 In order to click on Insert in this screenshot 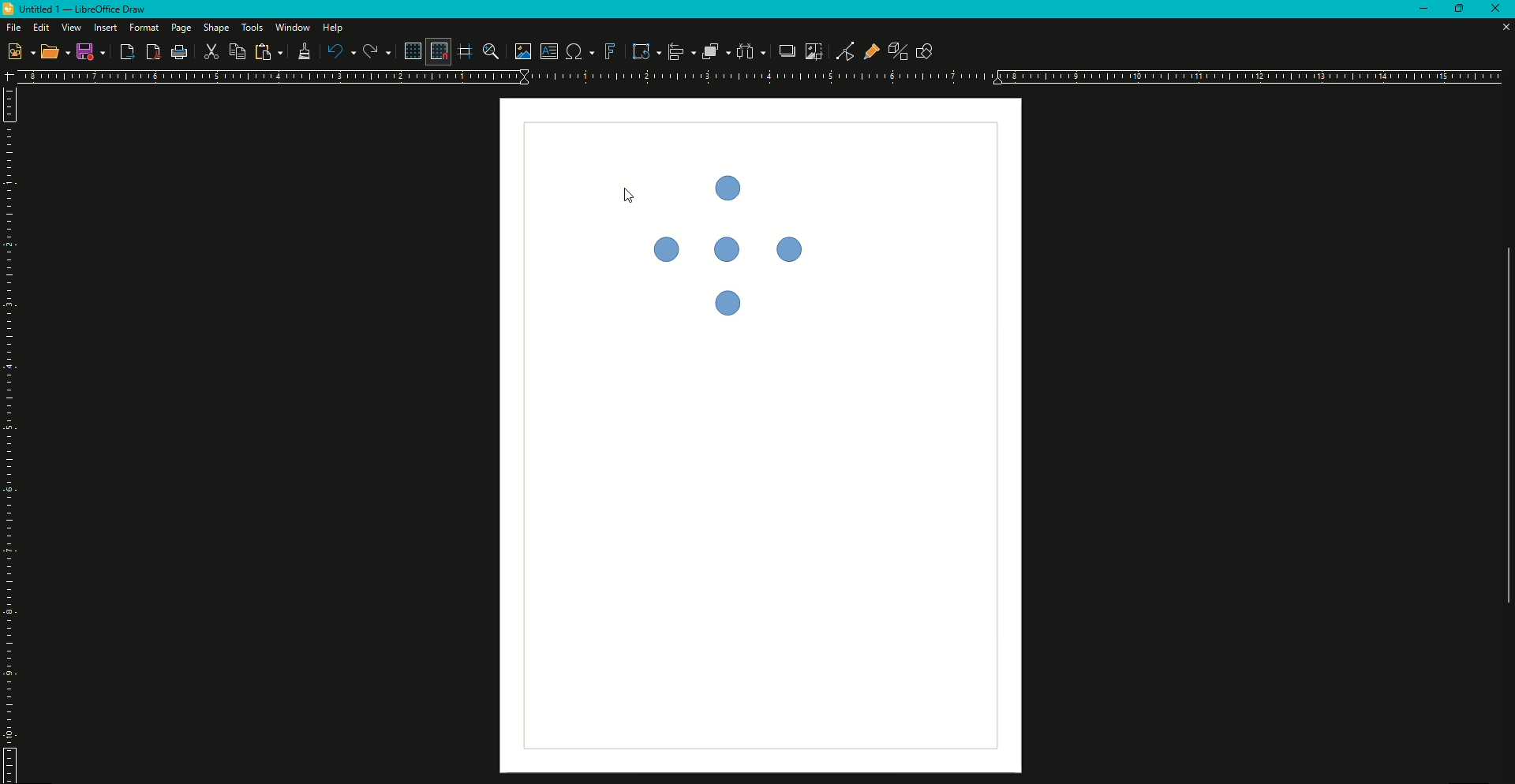, I will do `click(102, 28)`.